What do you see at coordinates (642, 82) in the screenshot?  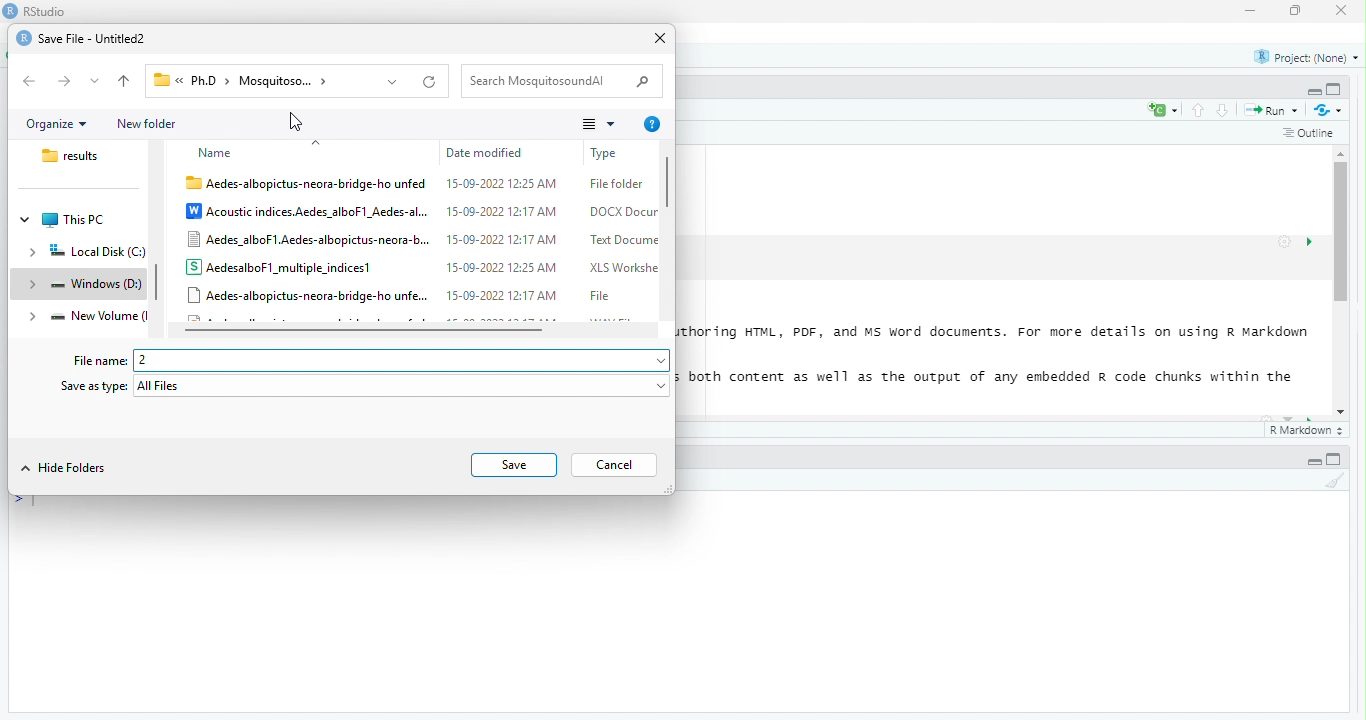 I see `Search` at bounding box center [642, 82].